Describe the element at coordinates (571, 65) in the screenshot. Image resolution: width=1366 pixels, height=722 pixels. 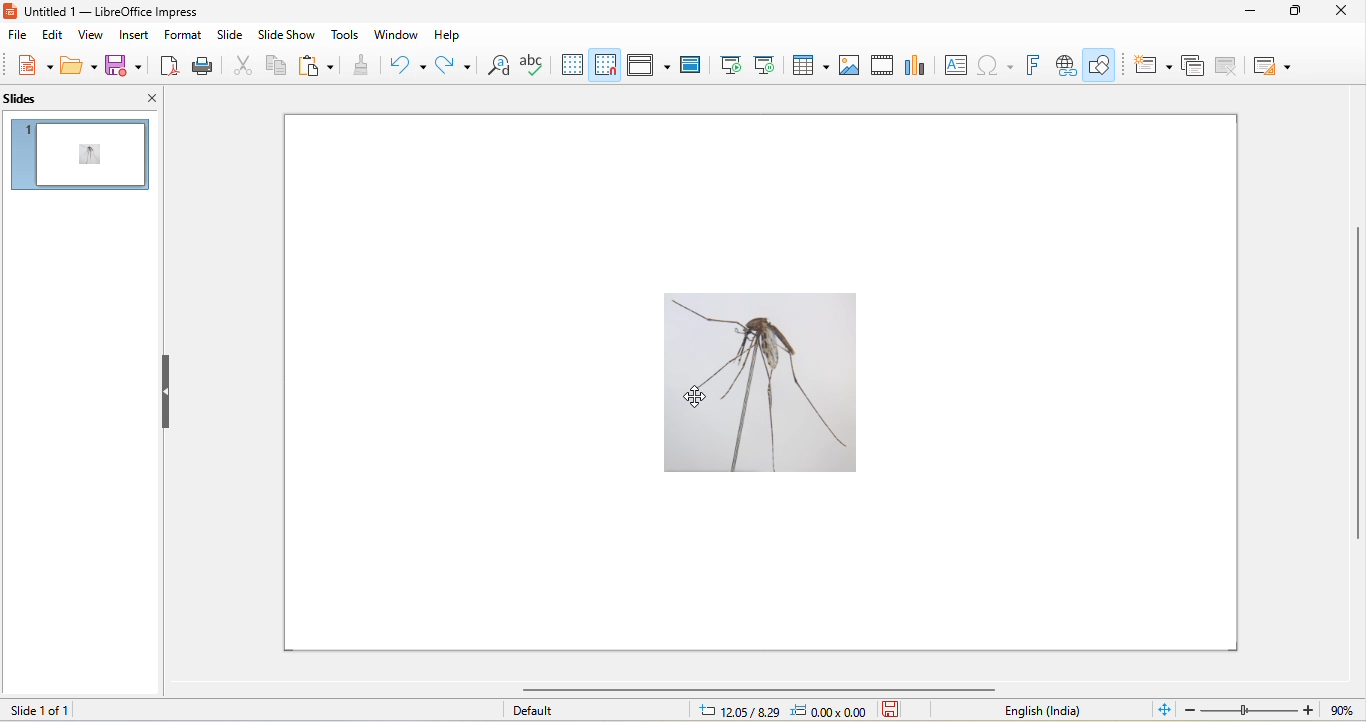
I see `display grid` at that location.